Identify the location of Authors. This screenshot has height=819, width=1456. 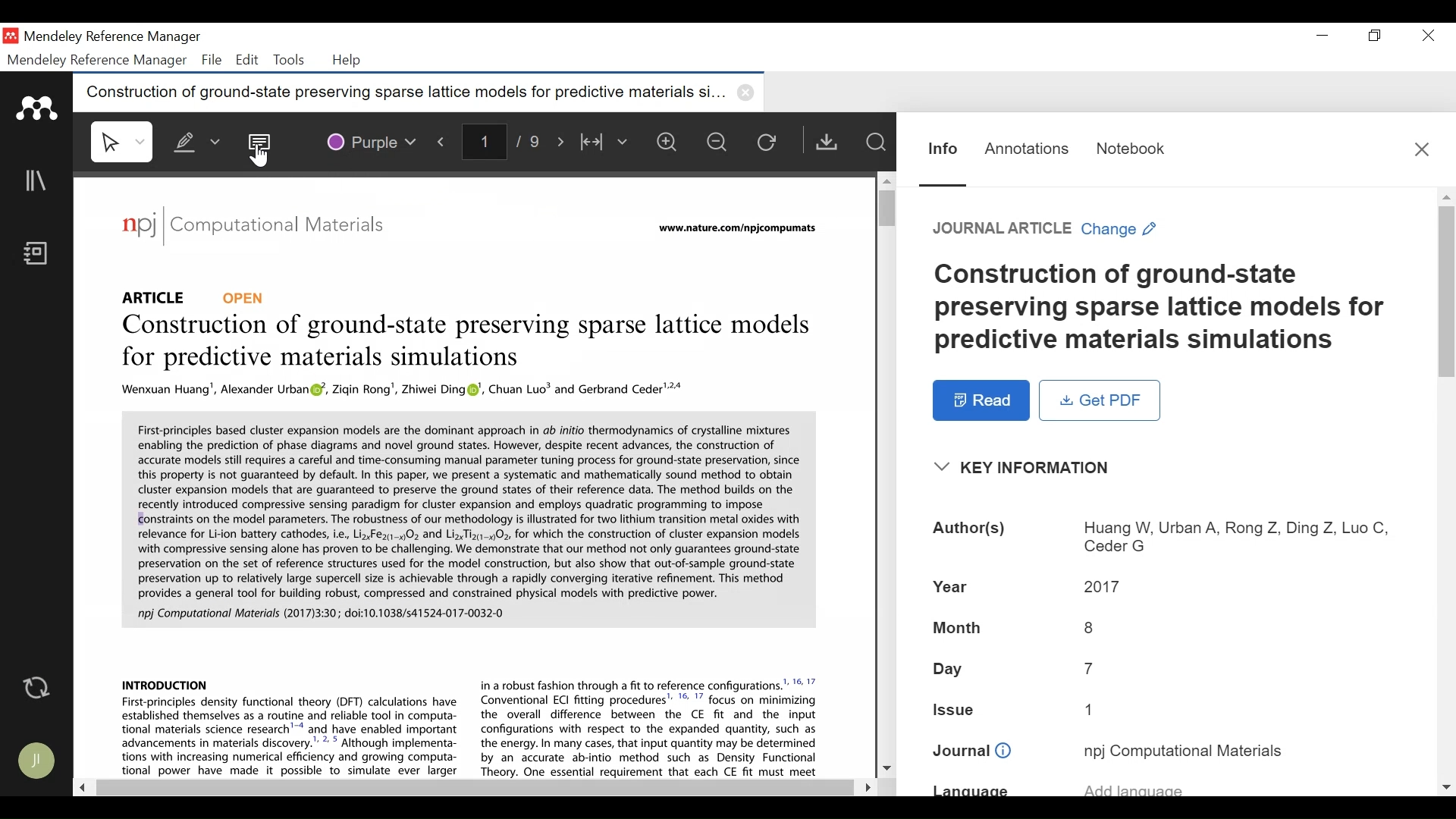
(1166, 536).